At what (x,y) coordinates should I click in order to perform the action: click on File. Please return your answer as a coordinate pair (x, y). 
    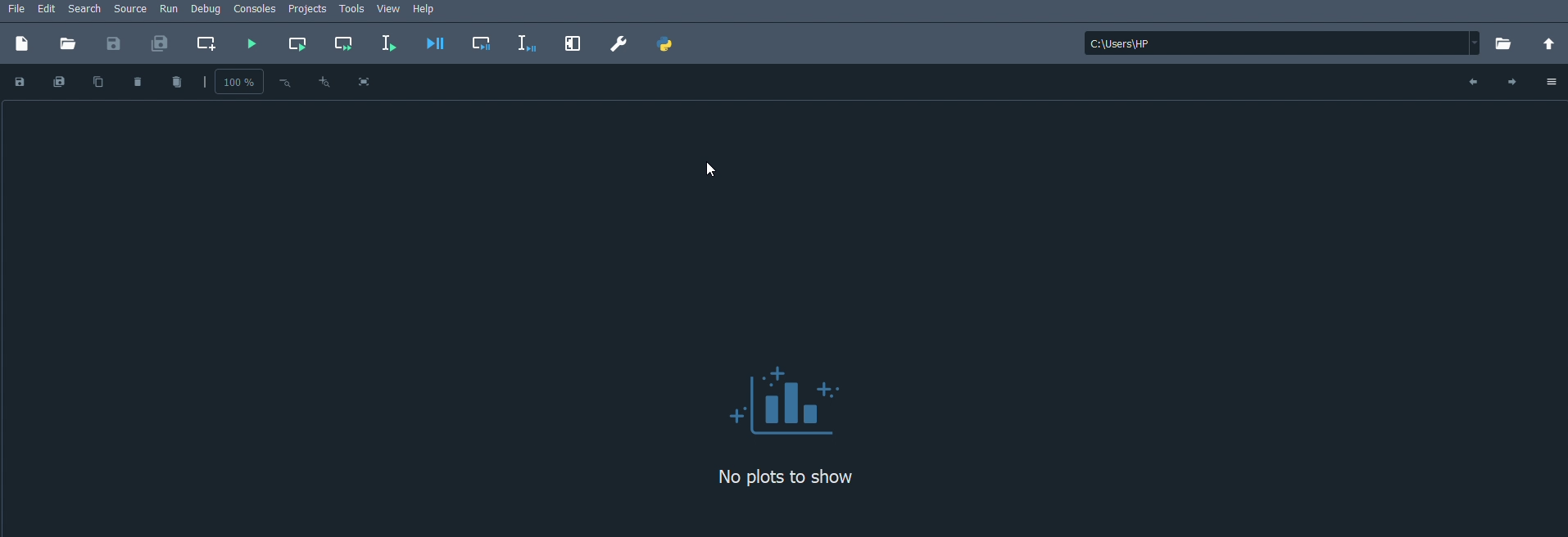
    Looking at the image, I should click on (14, 8).